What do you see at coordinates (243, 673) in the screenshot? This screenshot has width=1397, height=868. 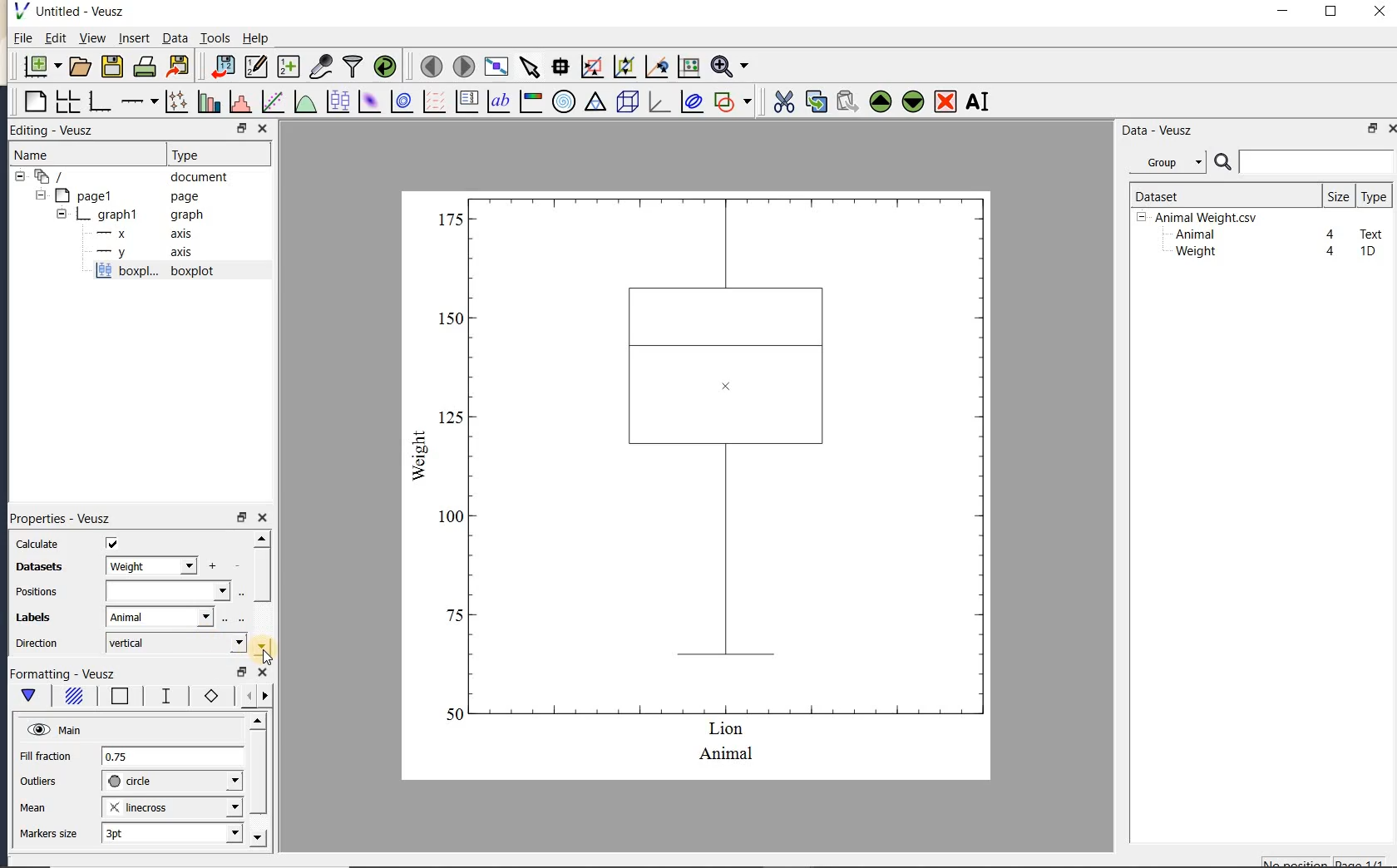 I see `restore` at bounding box center [243, 673].